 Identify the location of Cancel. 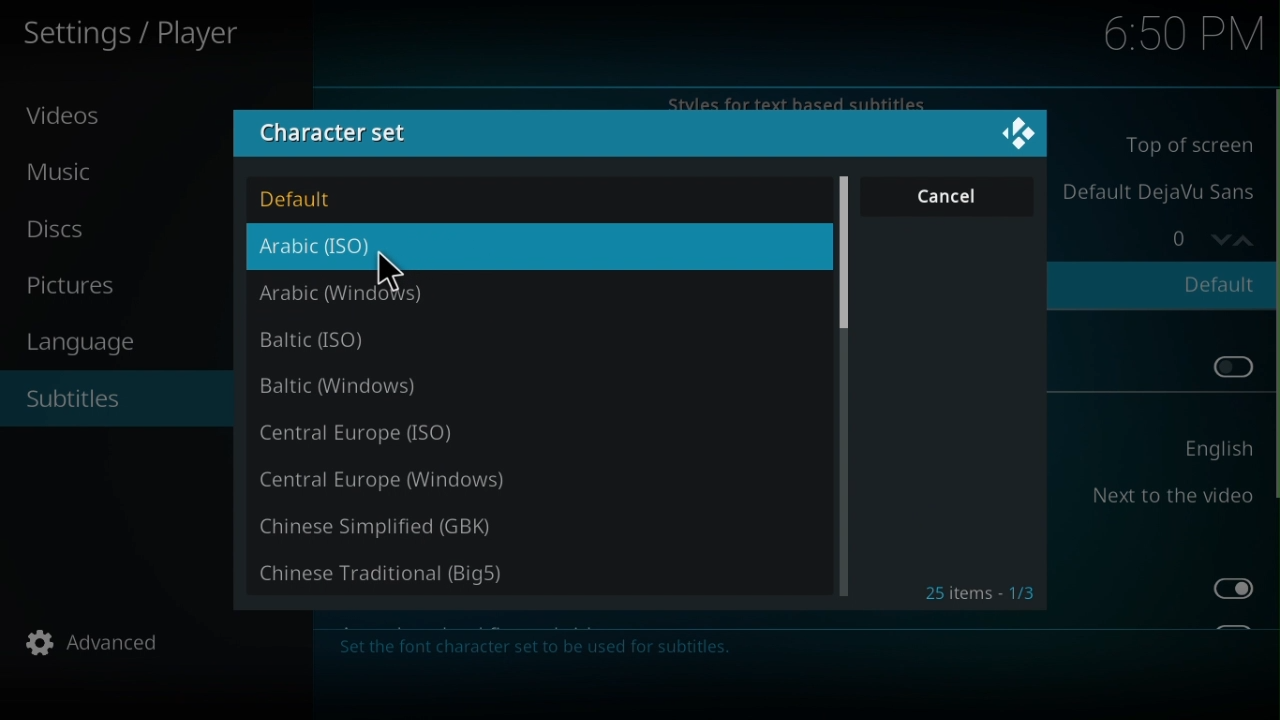
(950, 195).